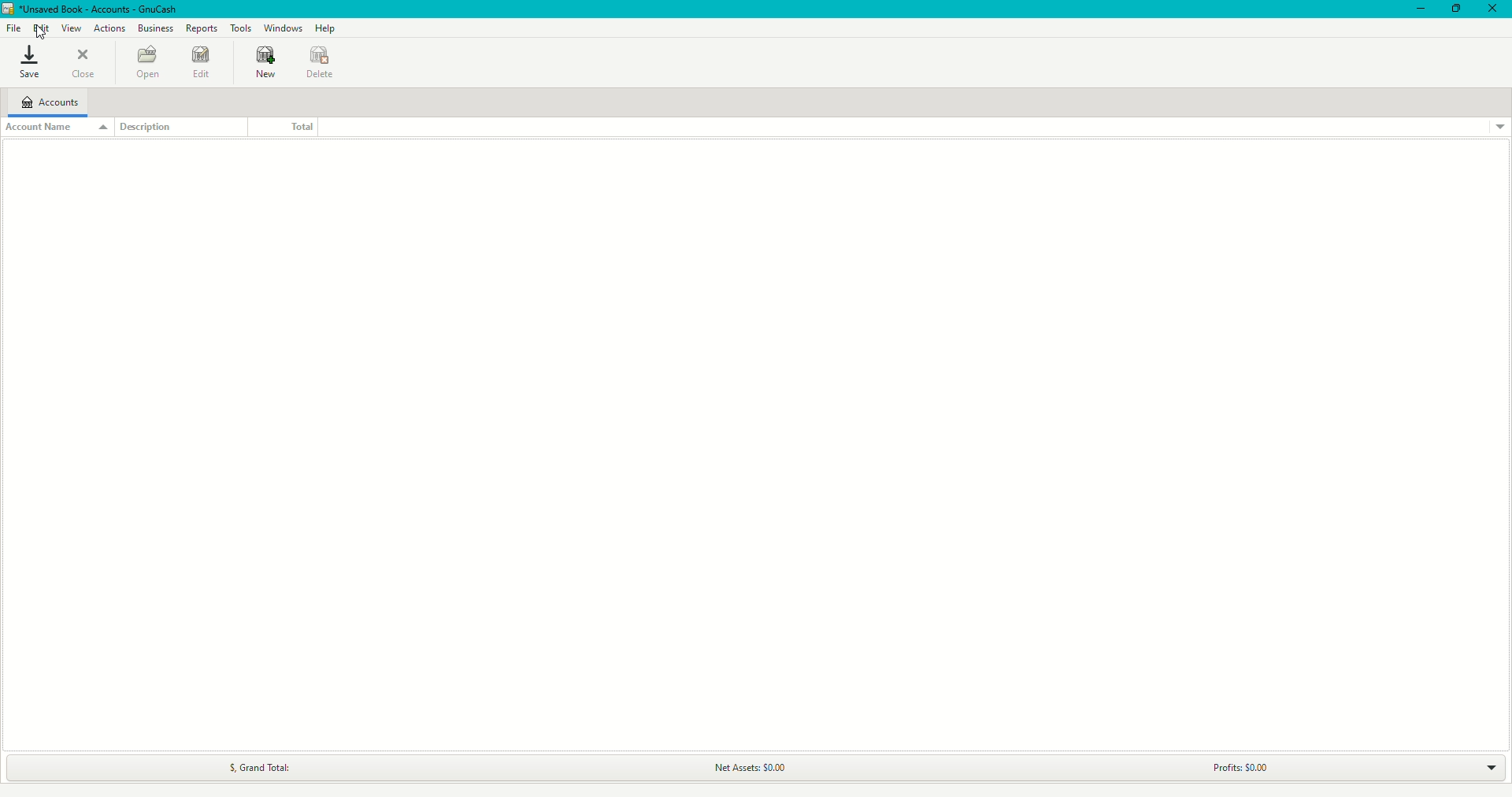 The width and height of the screenshot is (1512, 797). Describe the element at coordinates (110, 29) in the screenshot. I see `Actions` at that location.